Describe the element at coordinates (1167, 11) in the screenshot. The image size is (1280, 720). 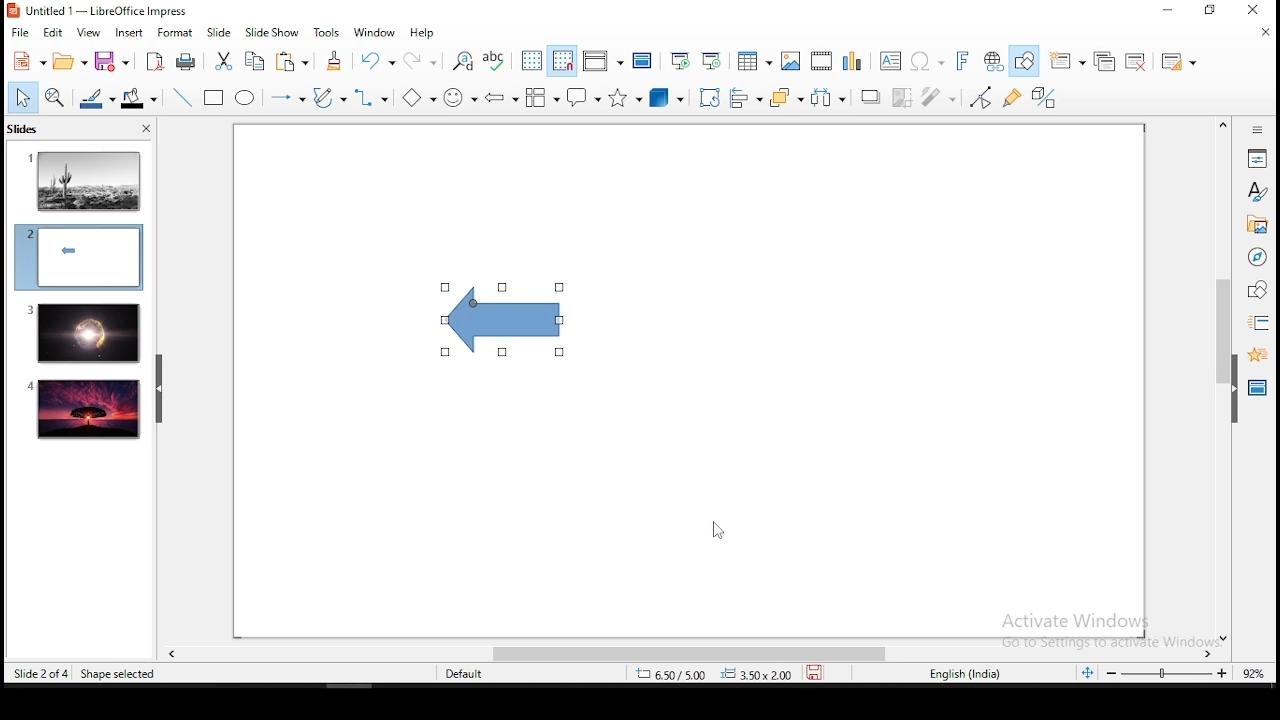
I see `minimize` at that location.